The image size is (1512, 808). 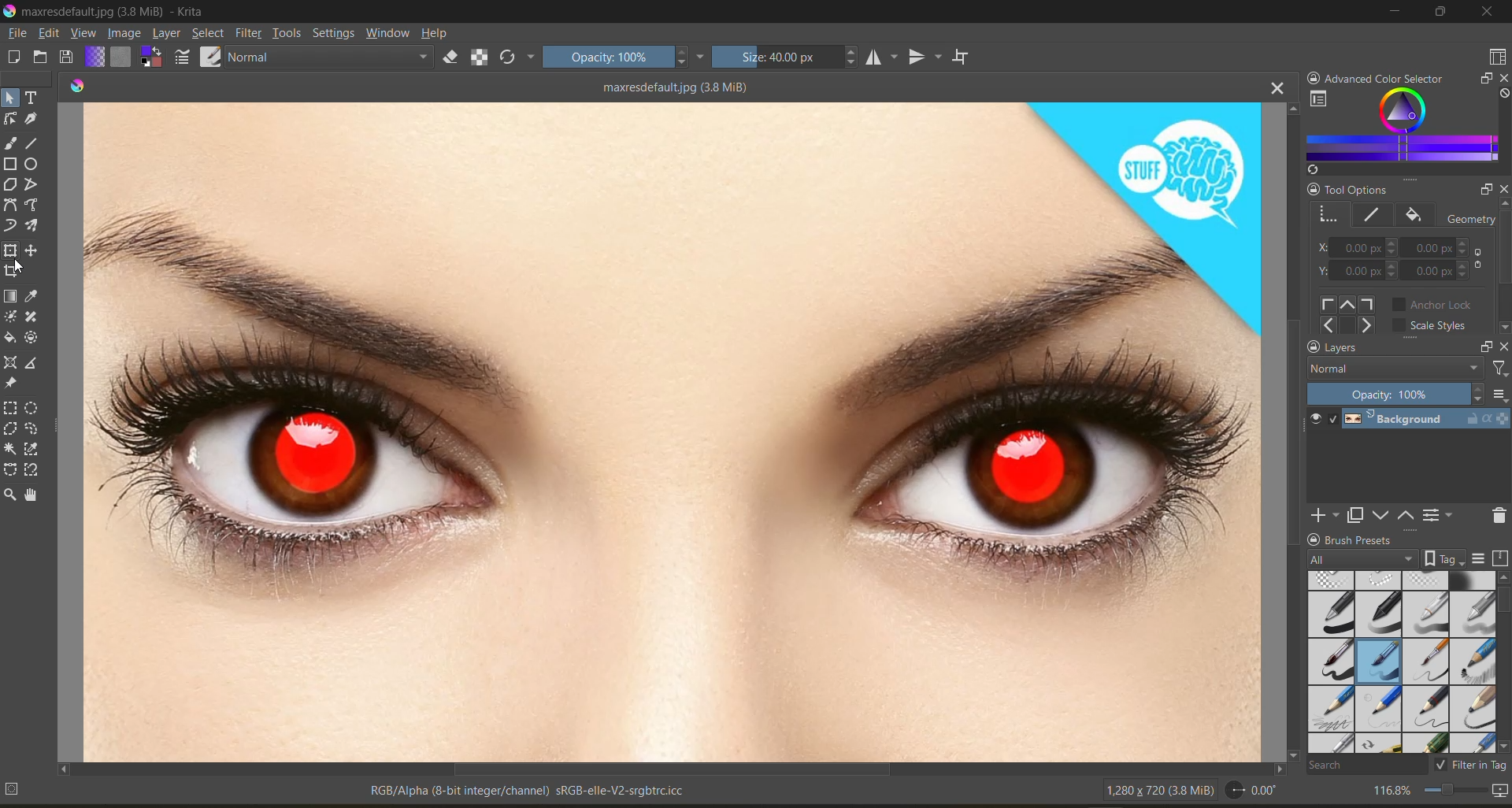 What do you see at coordinates (126, 33) in the screenshot?
I see `image` at bounding box center [126, 33].